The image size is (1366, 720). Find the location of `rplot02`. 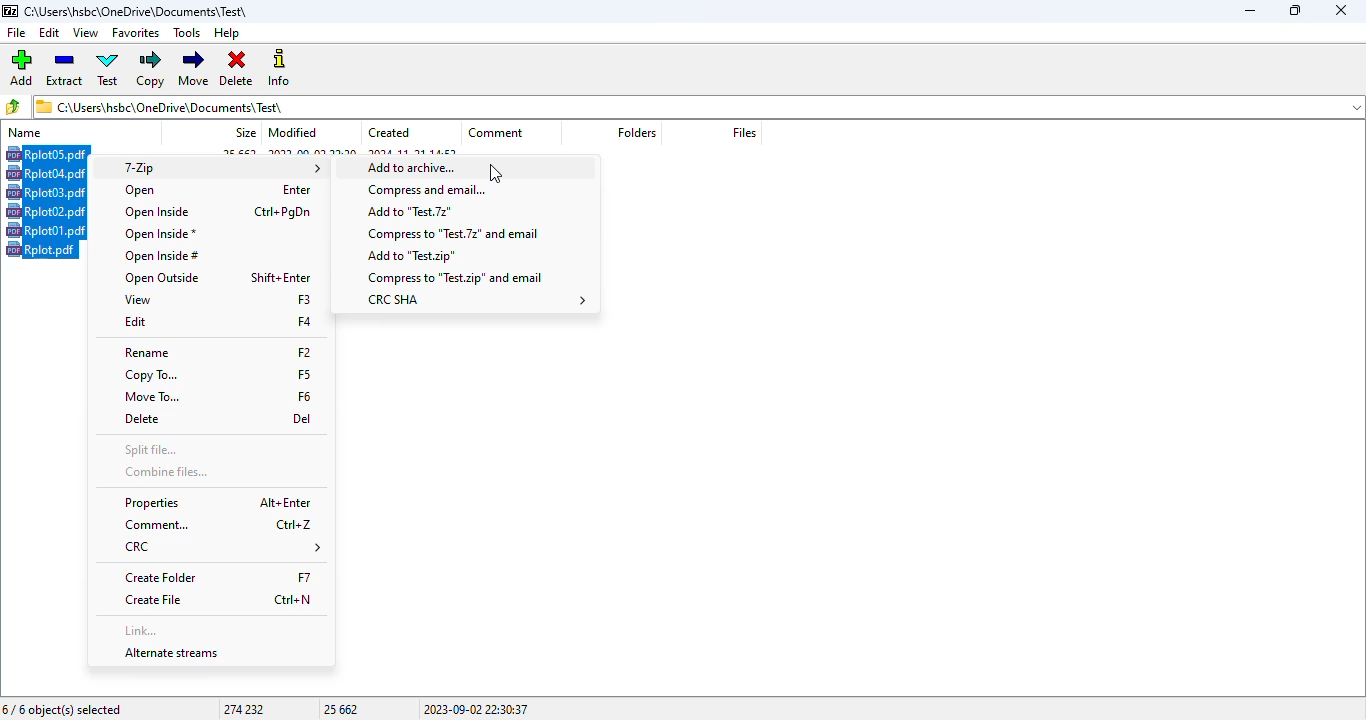

rplot02 is located at coordinates (46, 211).